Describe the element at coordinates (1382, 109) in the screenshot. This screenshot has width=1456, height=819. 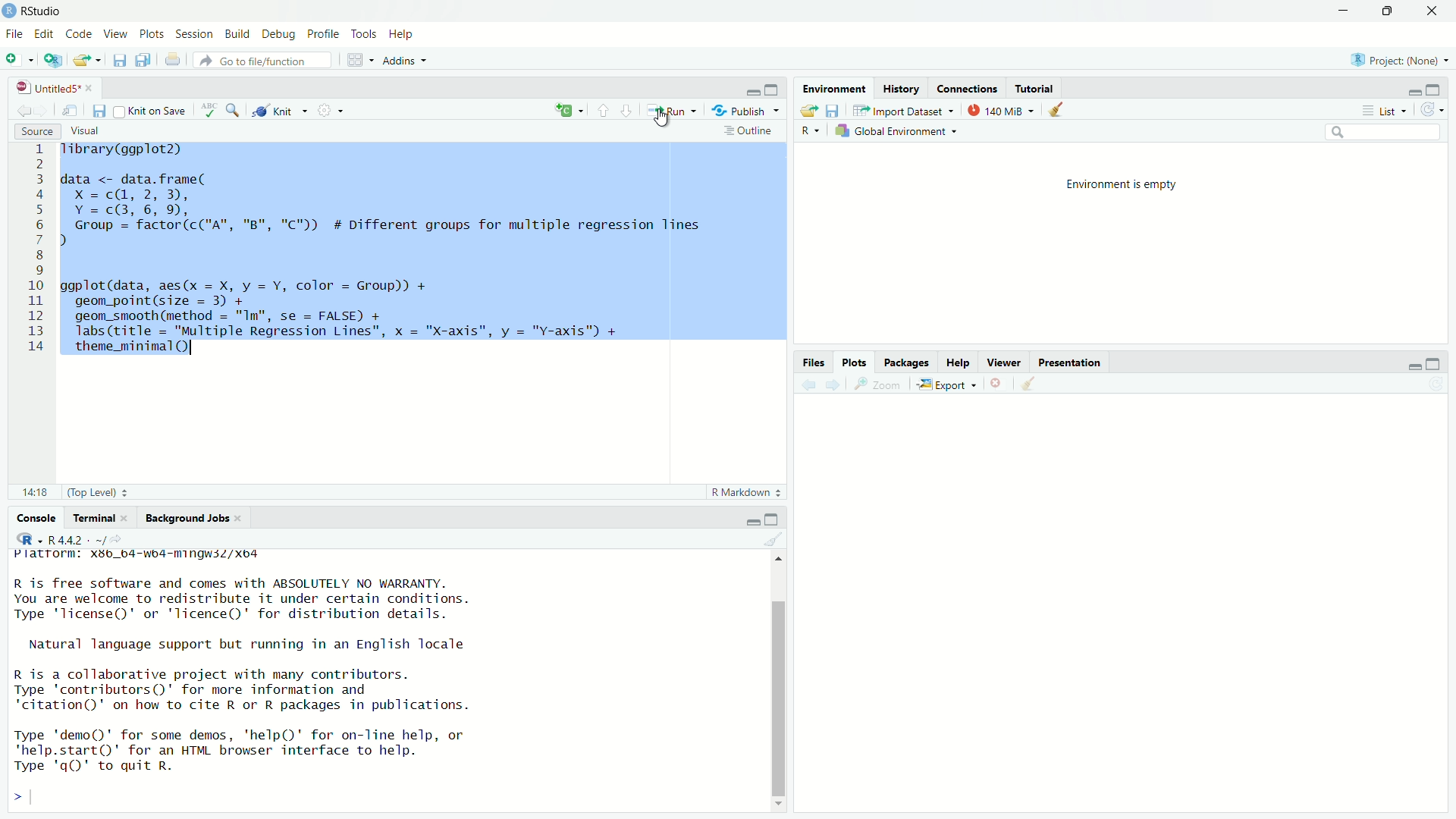
I see `List` at that location.